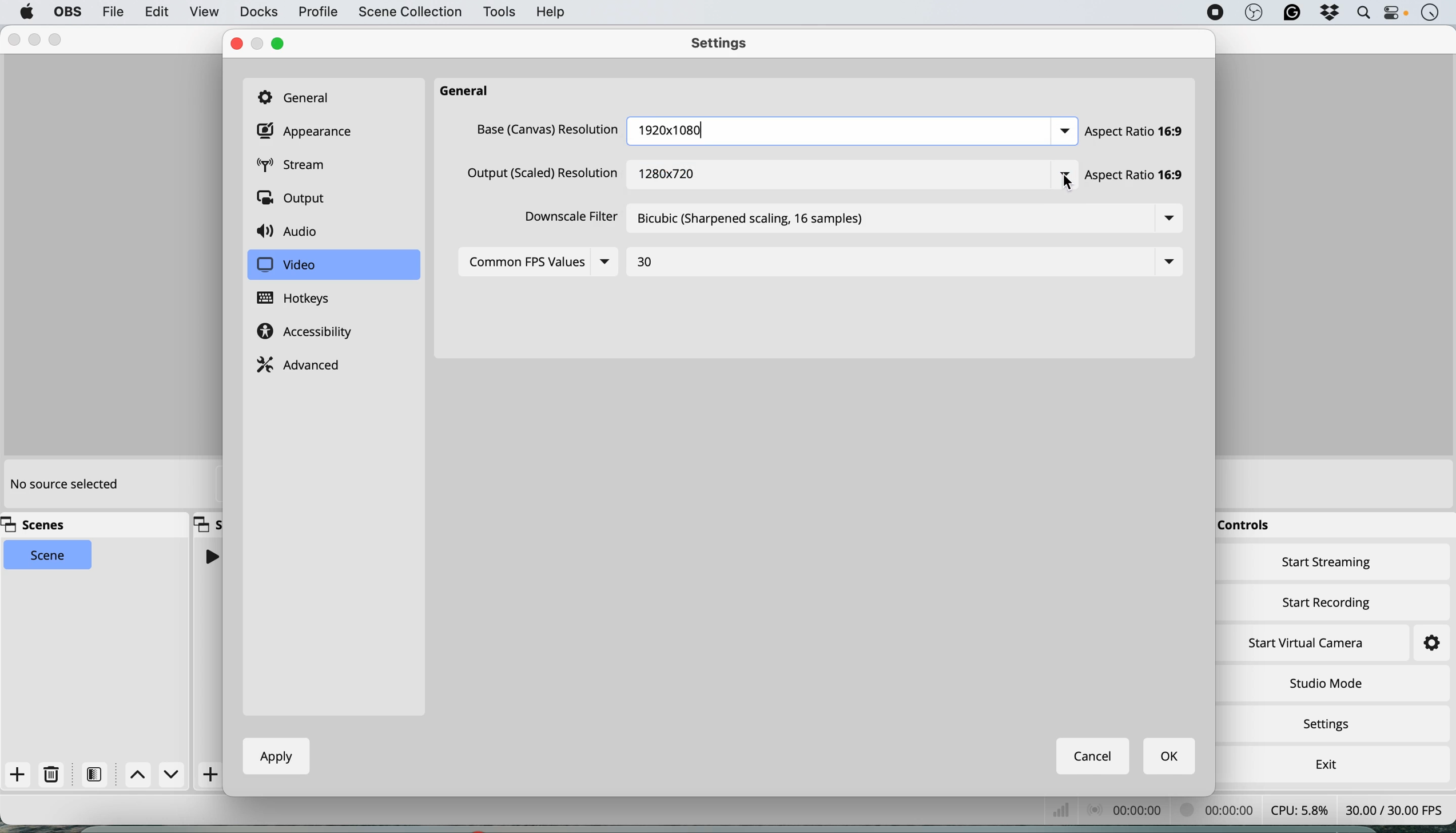  Describe the element at coordinates (674, 128) in the screenshot. I see `2080X1800` at that location.